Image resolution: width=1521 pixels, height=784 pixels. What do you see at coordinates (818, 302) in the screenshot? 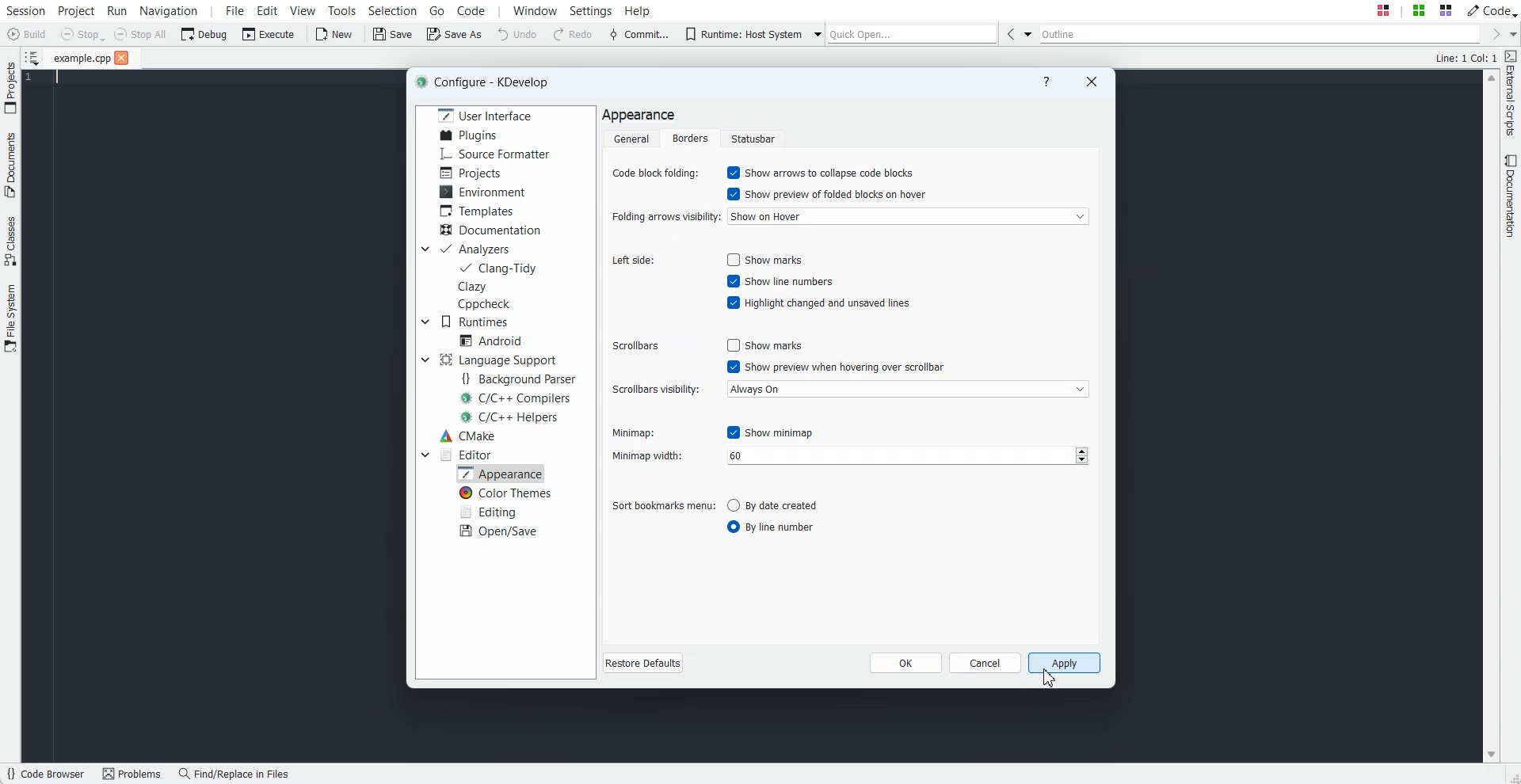
I see `Enable highlight changed and unsaved lines` at bounding box center [818, 302].